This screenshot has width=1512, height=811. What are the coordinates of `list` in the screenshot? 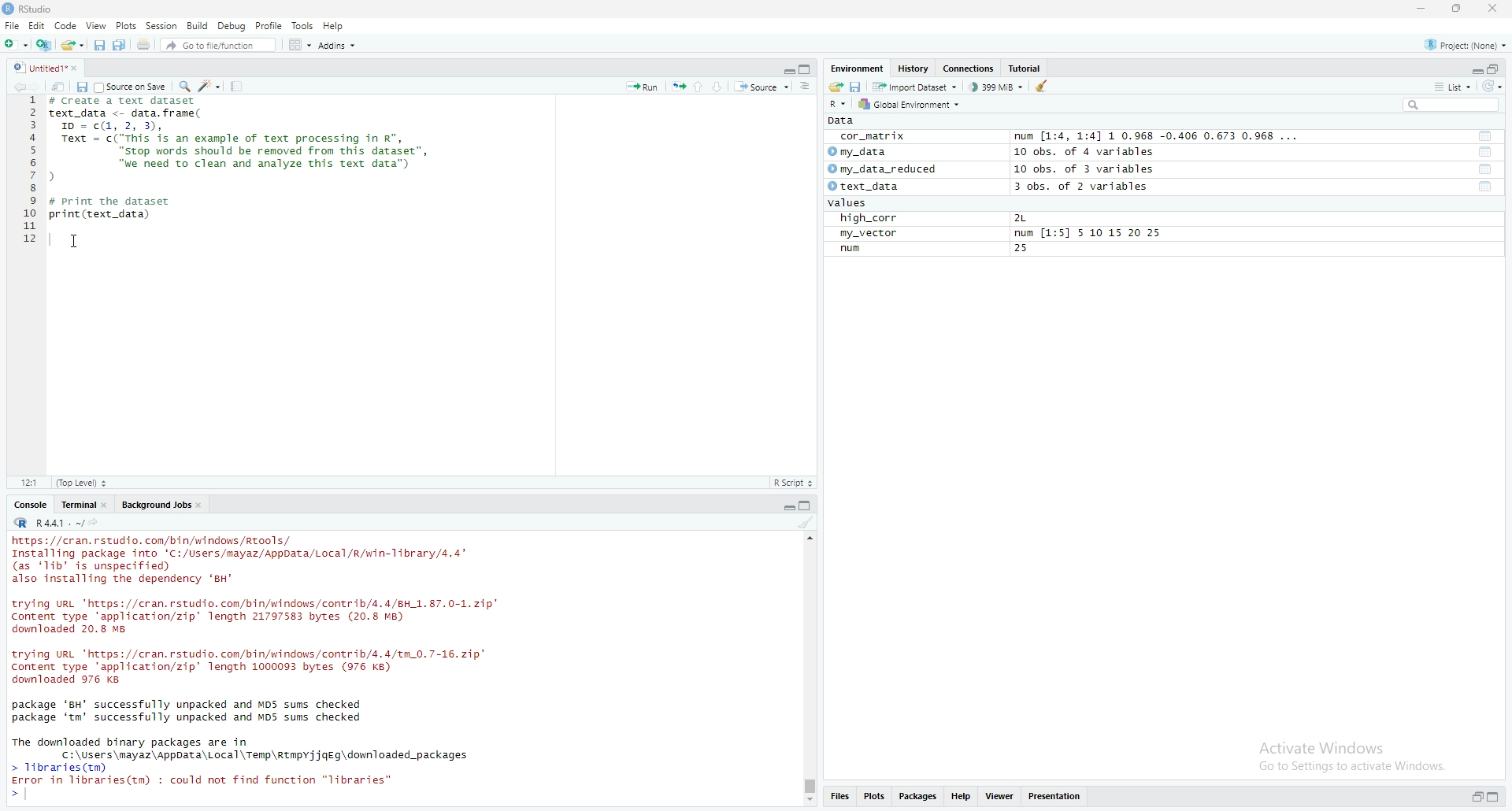 It's located at (1456, 87).